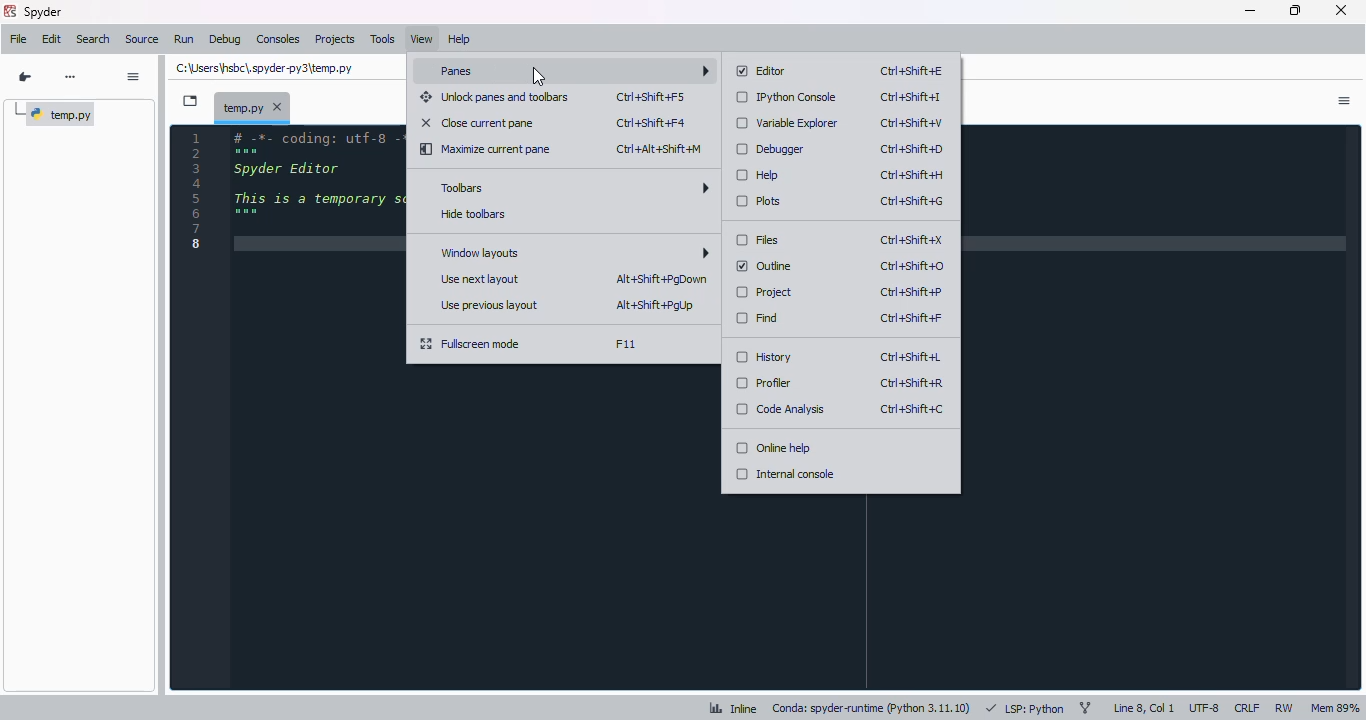 The height and width of the screenshot is (720, 1366). I want to click on project, so click(765, 293).